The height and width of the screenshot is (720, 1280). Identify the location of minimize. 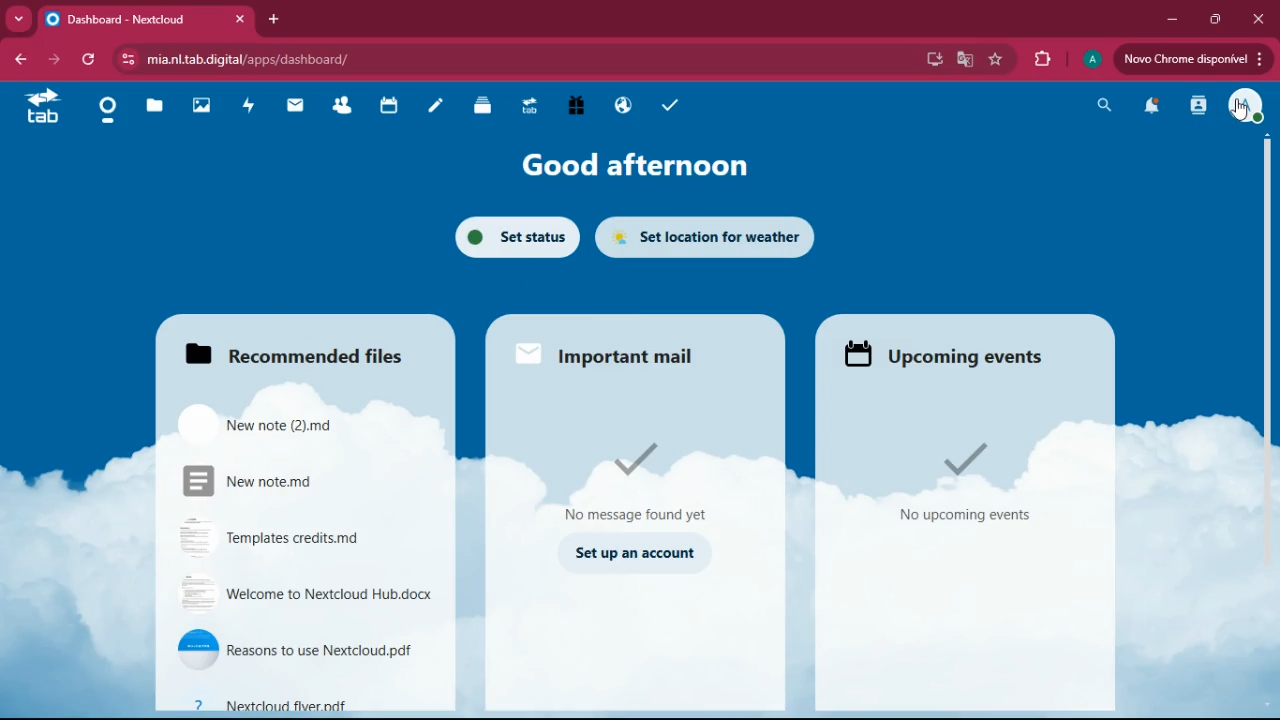
(1175, 19).